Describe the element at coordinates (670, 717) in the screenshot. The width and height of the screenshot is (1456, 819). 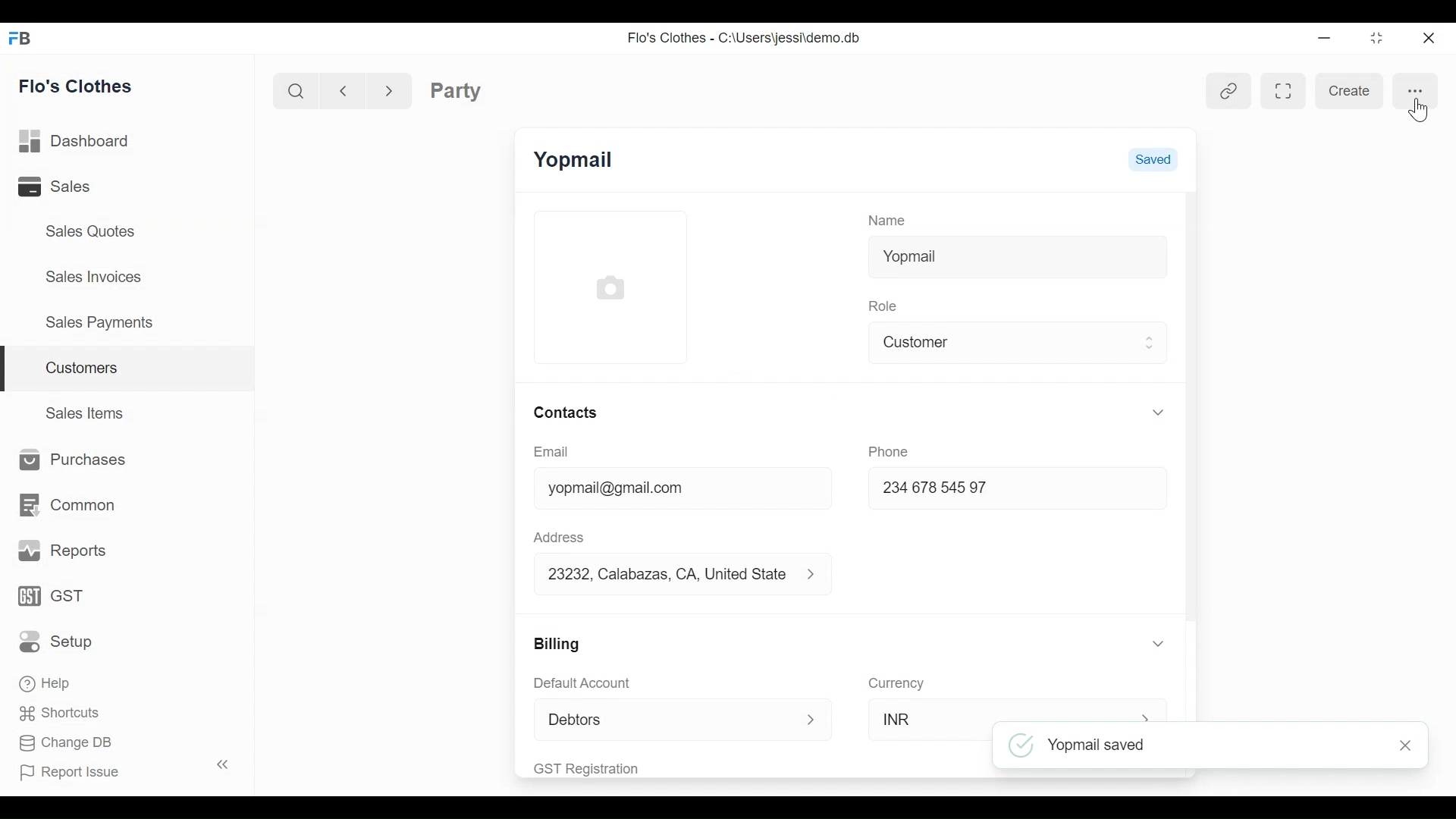
I see `Debtors` at that location.